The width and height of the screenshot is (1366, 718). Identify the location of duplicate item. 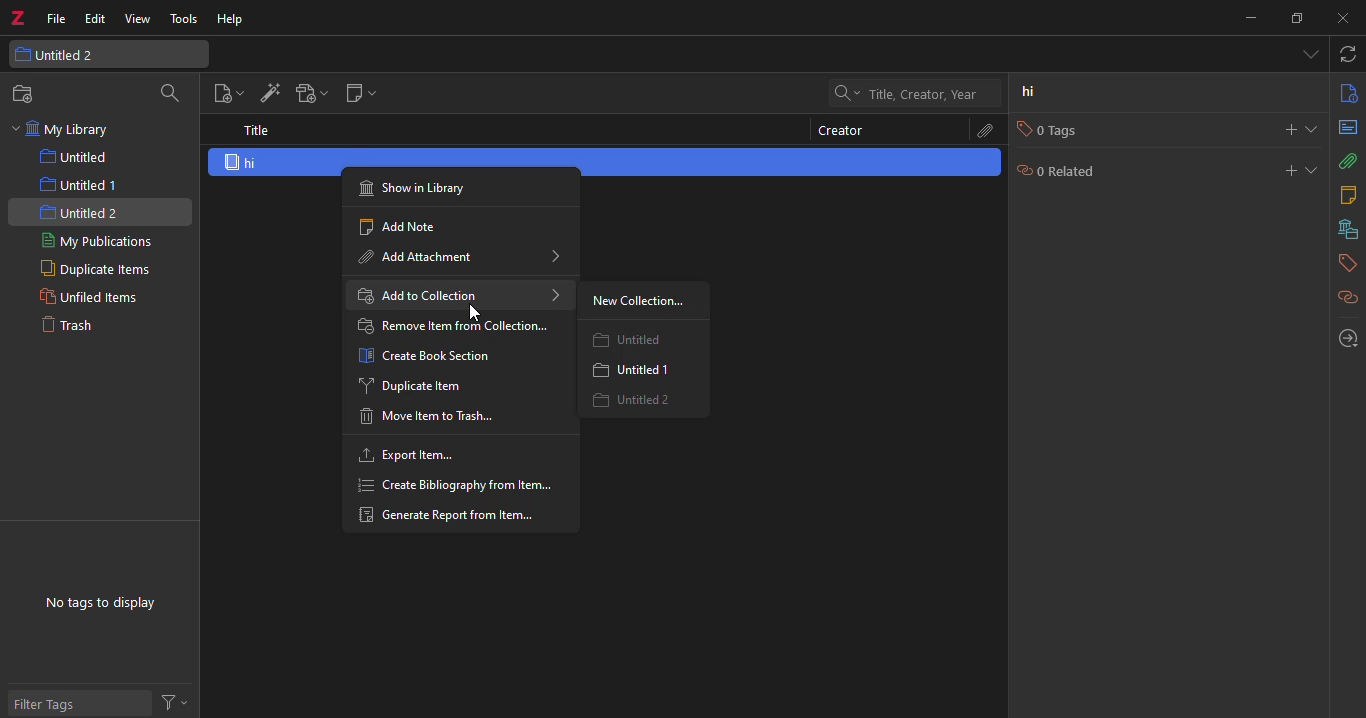
(416, 386).